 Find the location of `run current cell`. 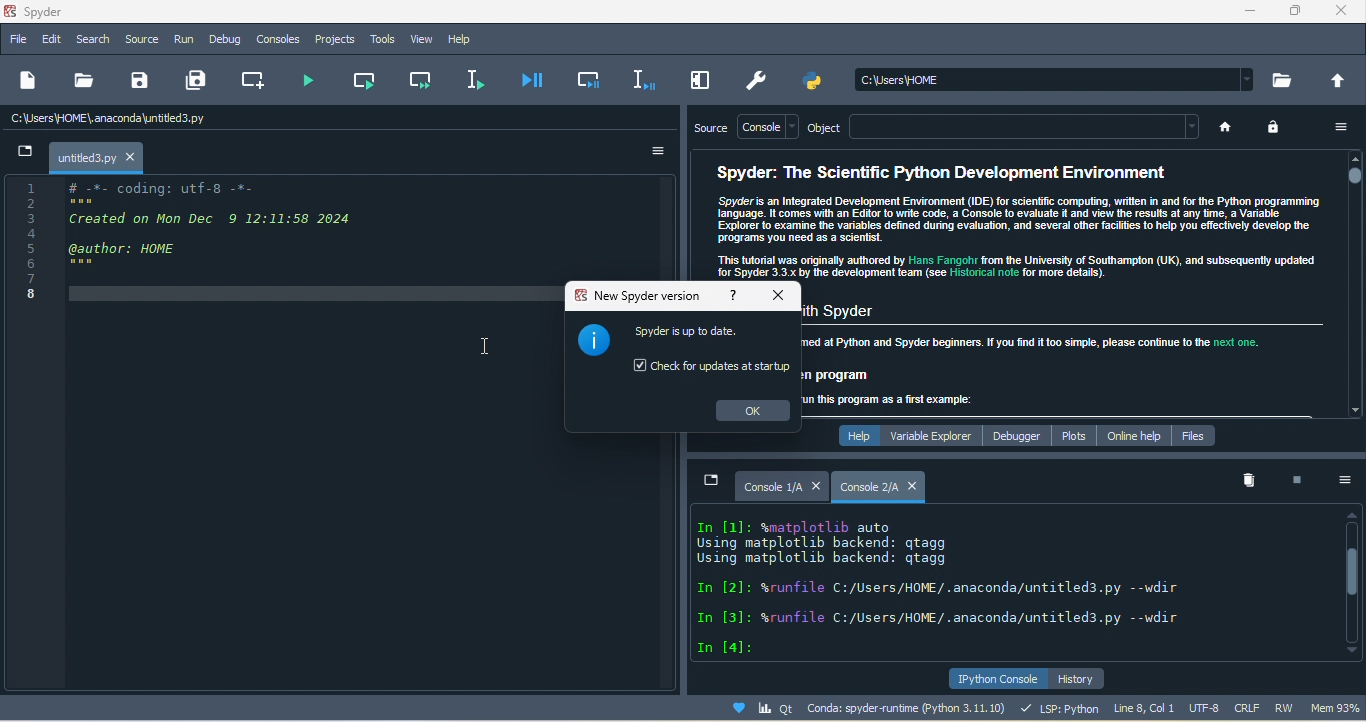

run current cell is located at coordinates (366, 81).